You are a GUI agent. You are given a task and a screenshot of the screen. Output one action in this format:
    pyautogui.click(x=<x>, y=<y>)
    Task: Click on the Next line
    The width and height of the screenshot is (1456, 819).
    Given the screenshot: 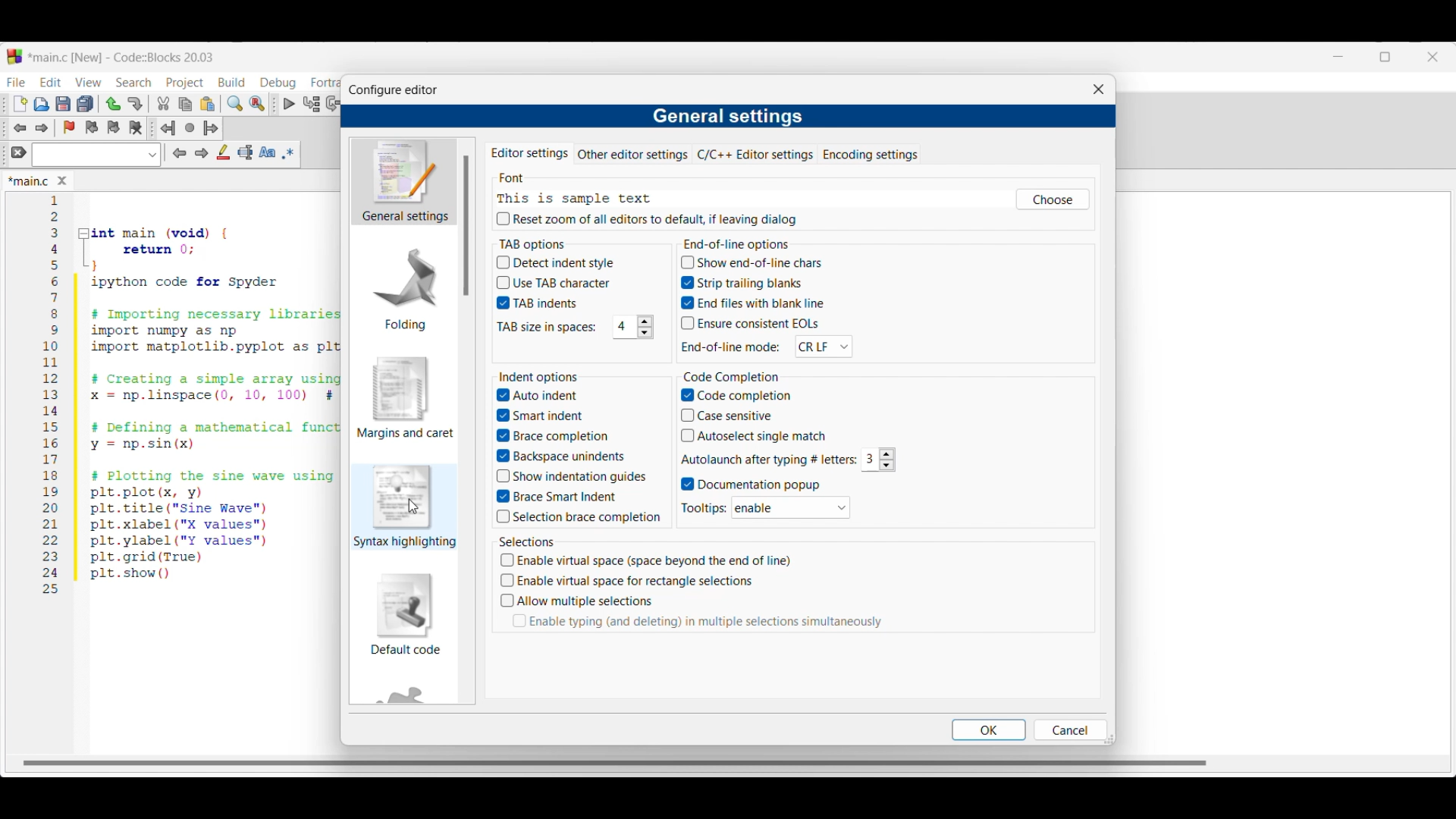 What is the action you would take?
    pyautogui.click(x=334, y=104)
    